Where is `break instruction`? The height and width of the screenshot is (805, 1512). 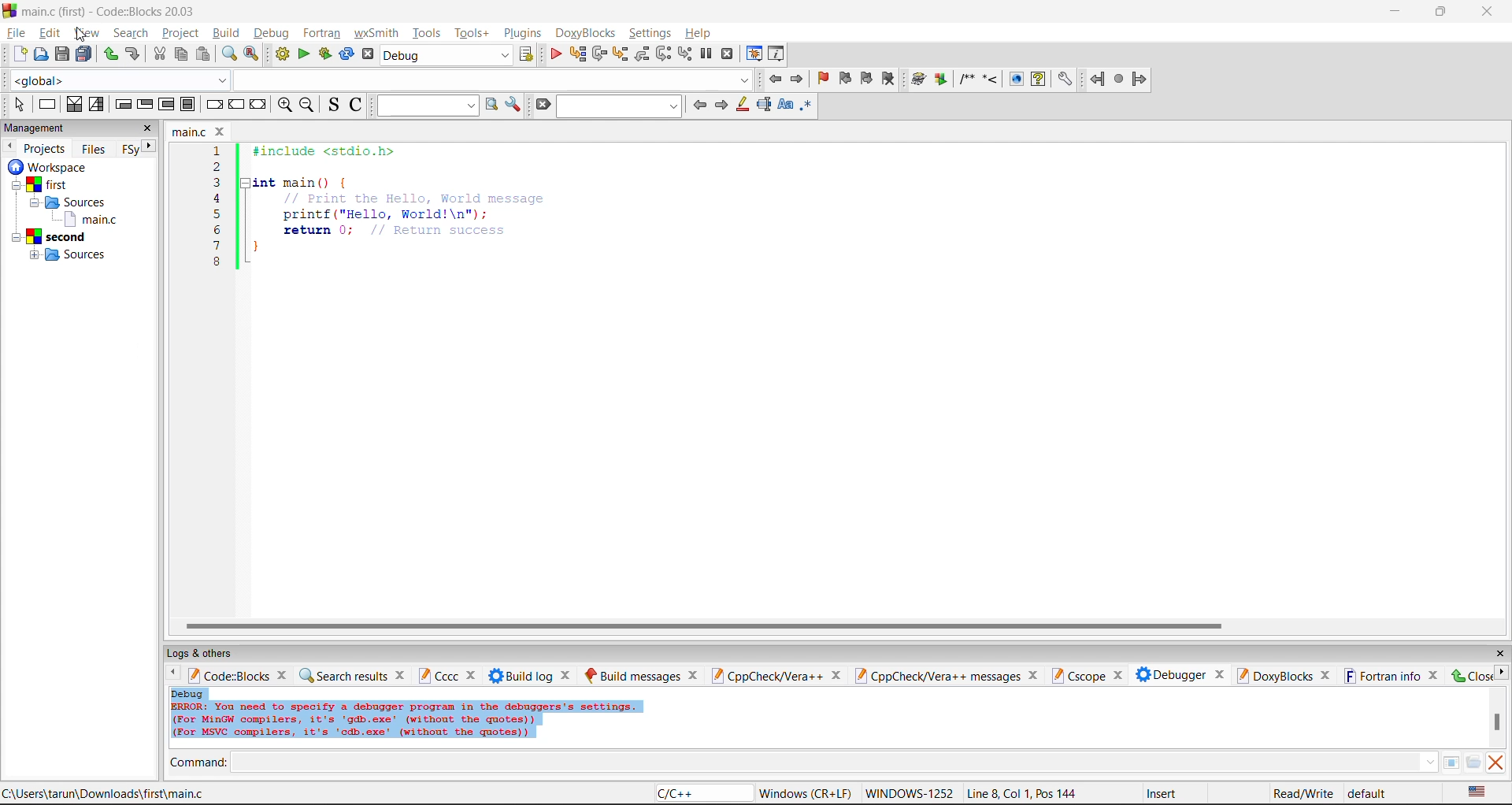 break instruction is located at coordinates (212, 103).